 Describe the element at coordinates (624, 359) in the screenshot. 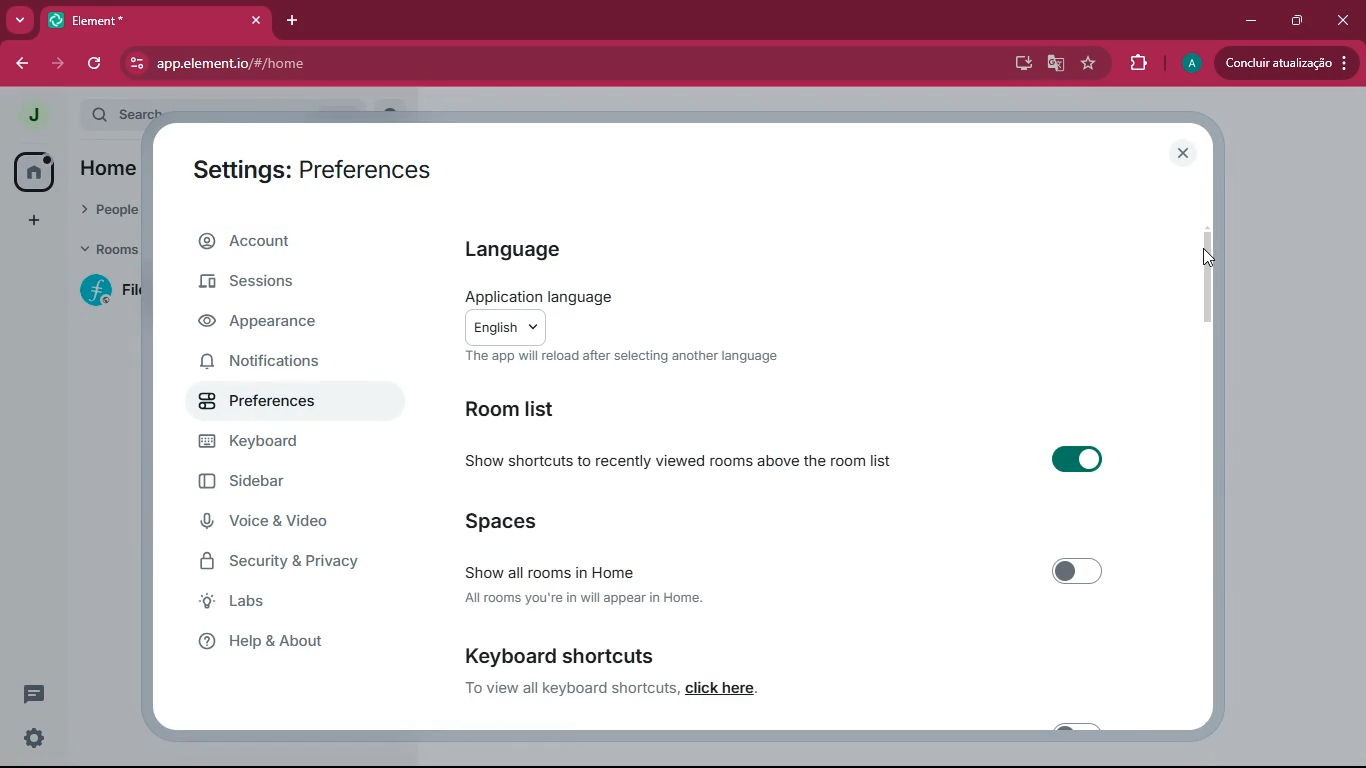

I see `The app will reload after selecting another language` at that location.